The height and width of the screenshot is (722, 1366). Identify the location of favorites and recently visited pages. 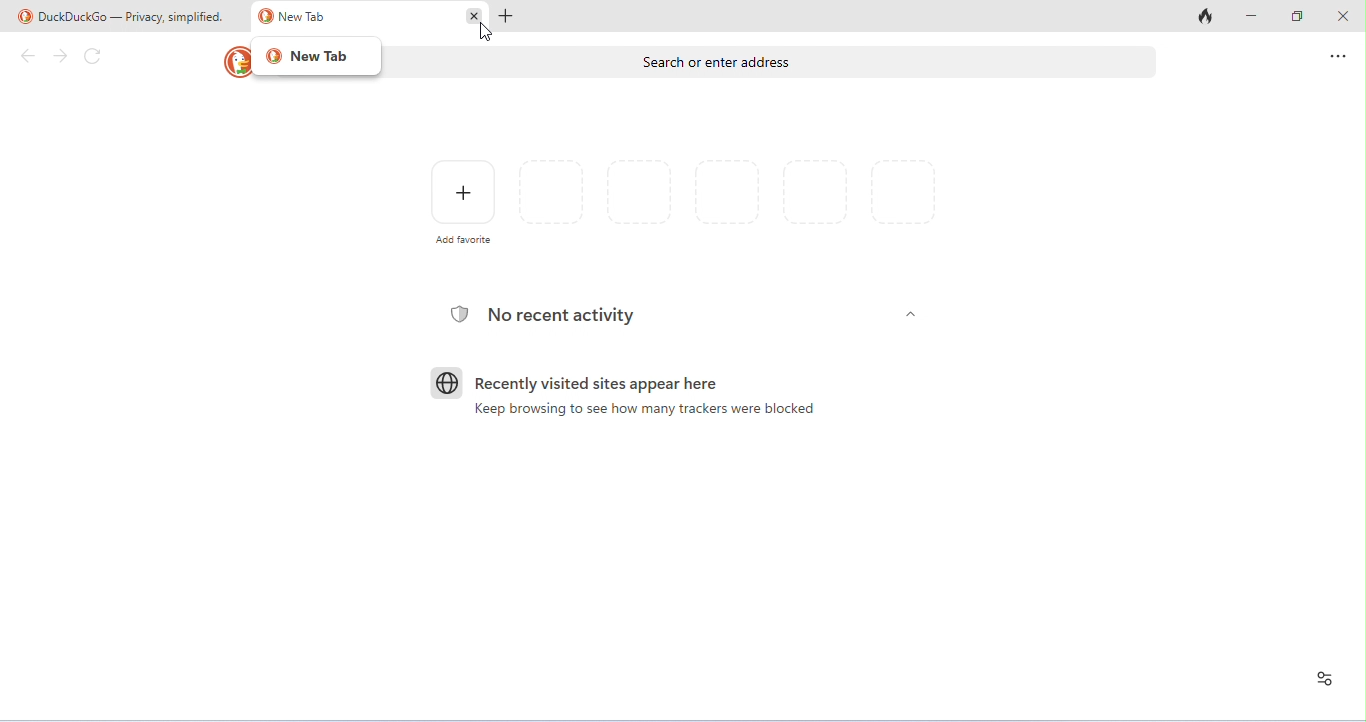
(732, 193).